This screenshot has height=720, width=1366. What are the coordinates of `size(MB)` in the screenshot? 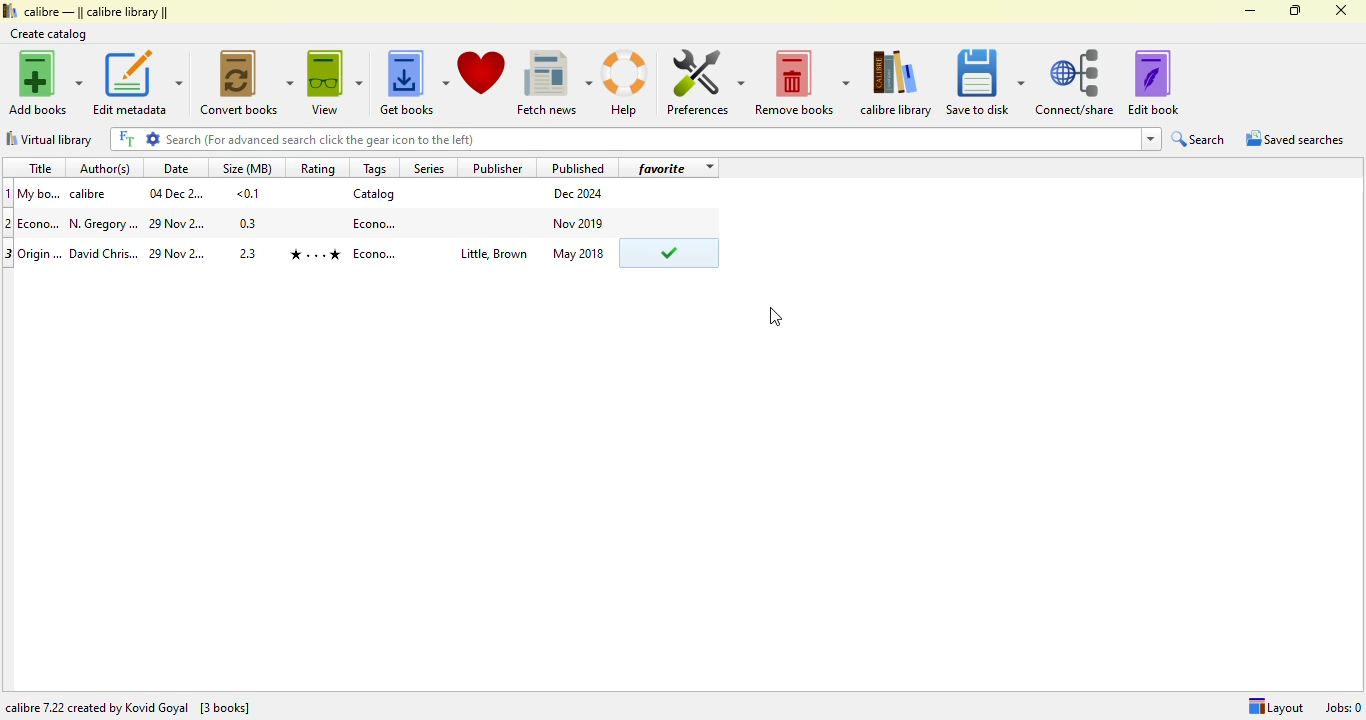 It's located at (246, 167).